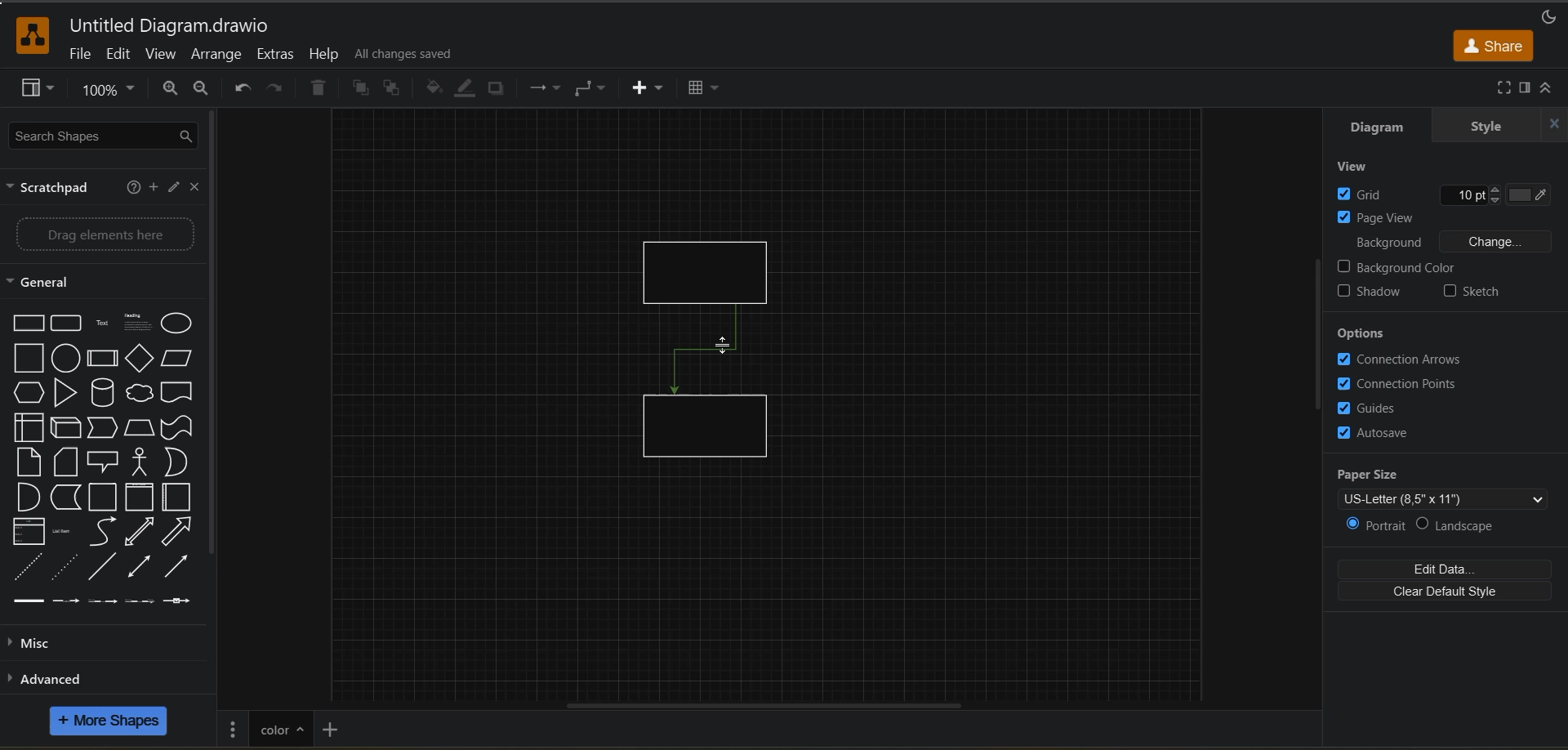  I want to click on Bidirectional Arrow, so click(140, 532).